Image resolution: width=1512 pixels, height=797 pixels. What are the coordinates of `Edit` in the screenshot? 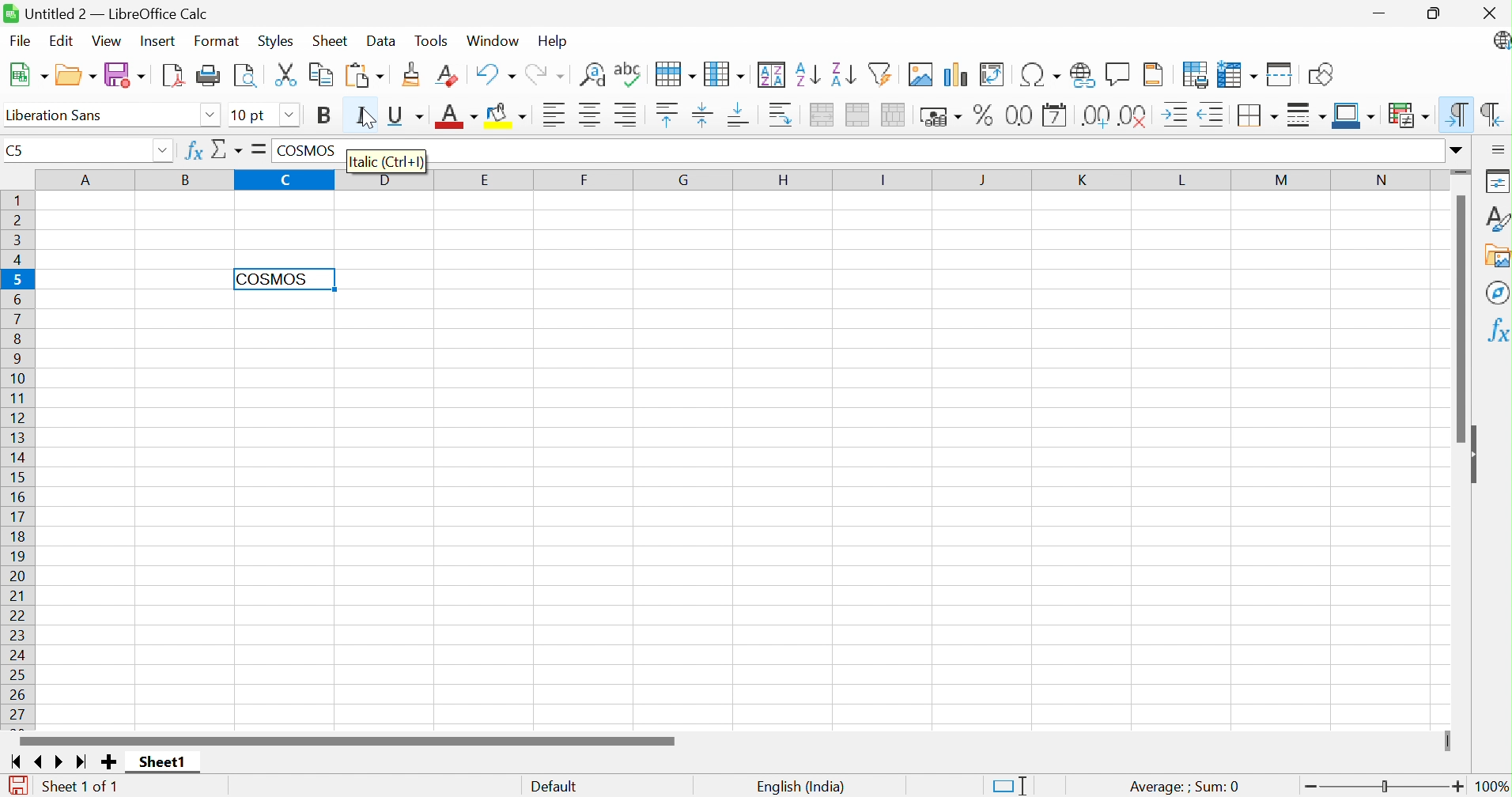 It's located at (61, 40).